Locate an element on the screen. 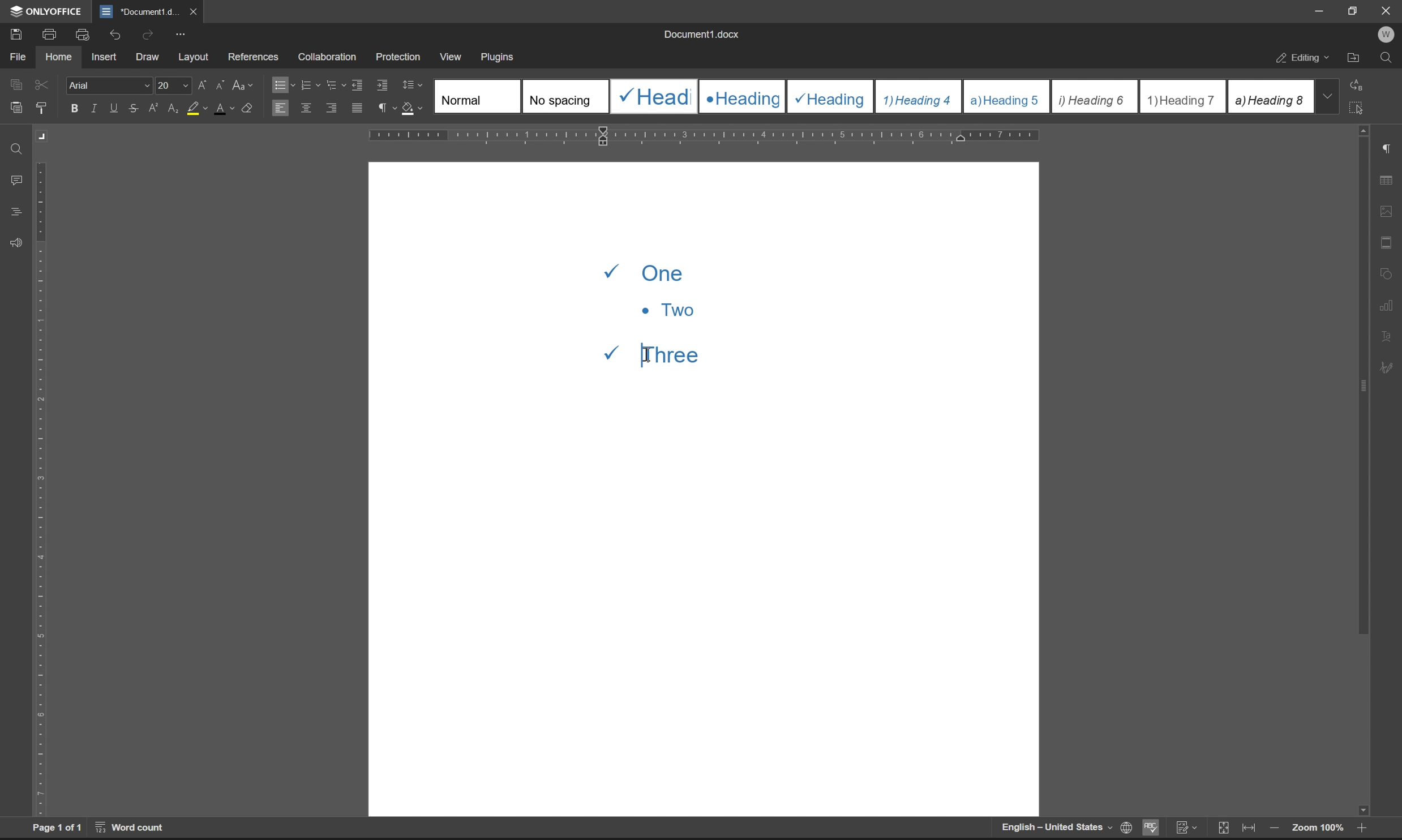 The width and height of the screenshot is (1402, 840). align right is located at coordinates (333, 107).